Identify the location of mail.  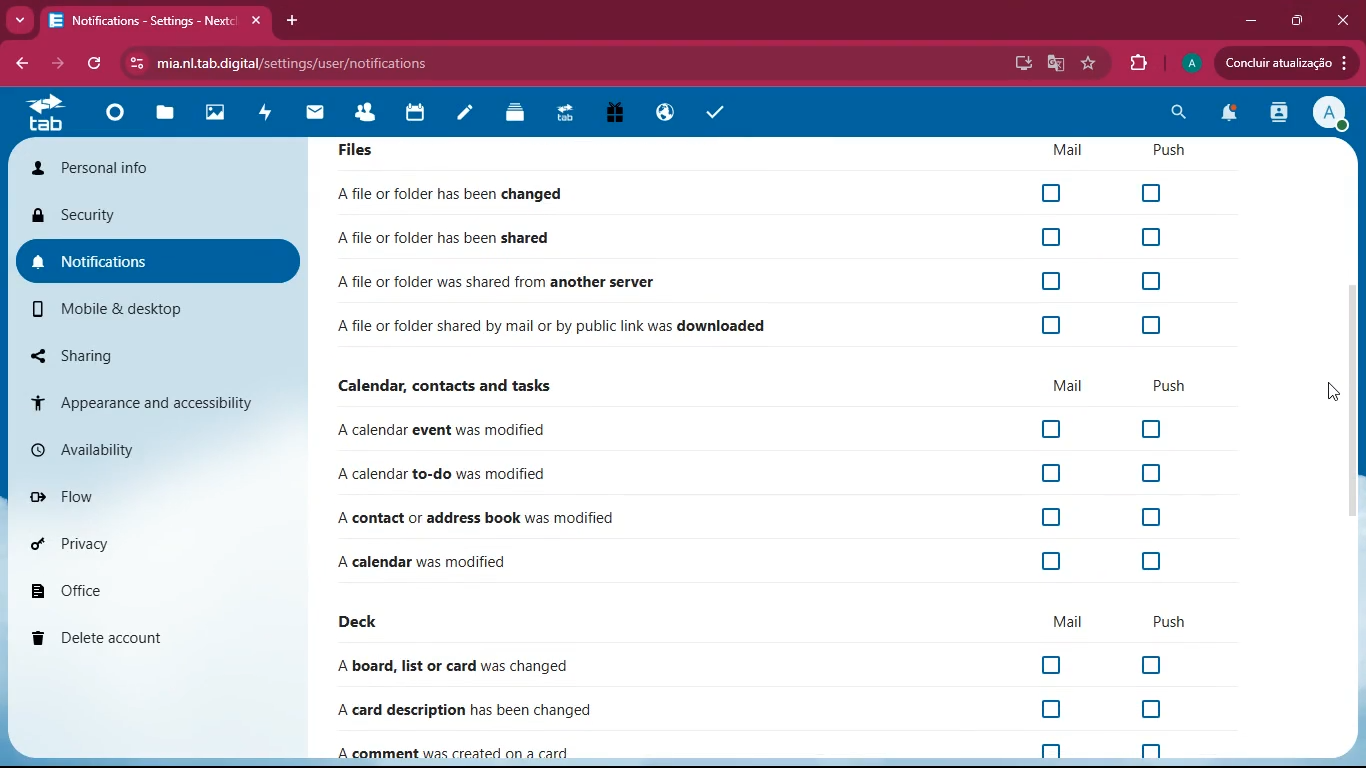
(1062, 622).